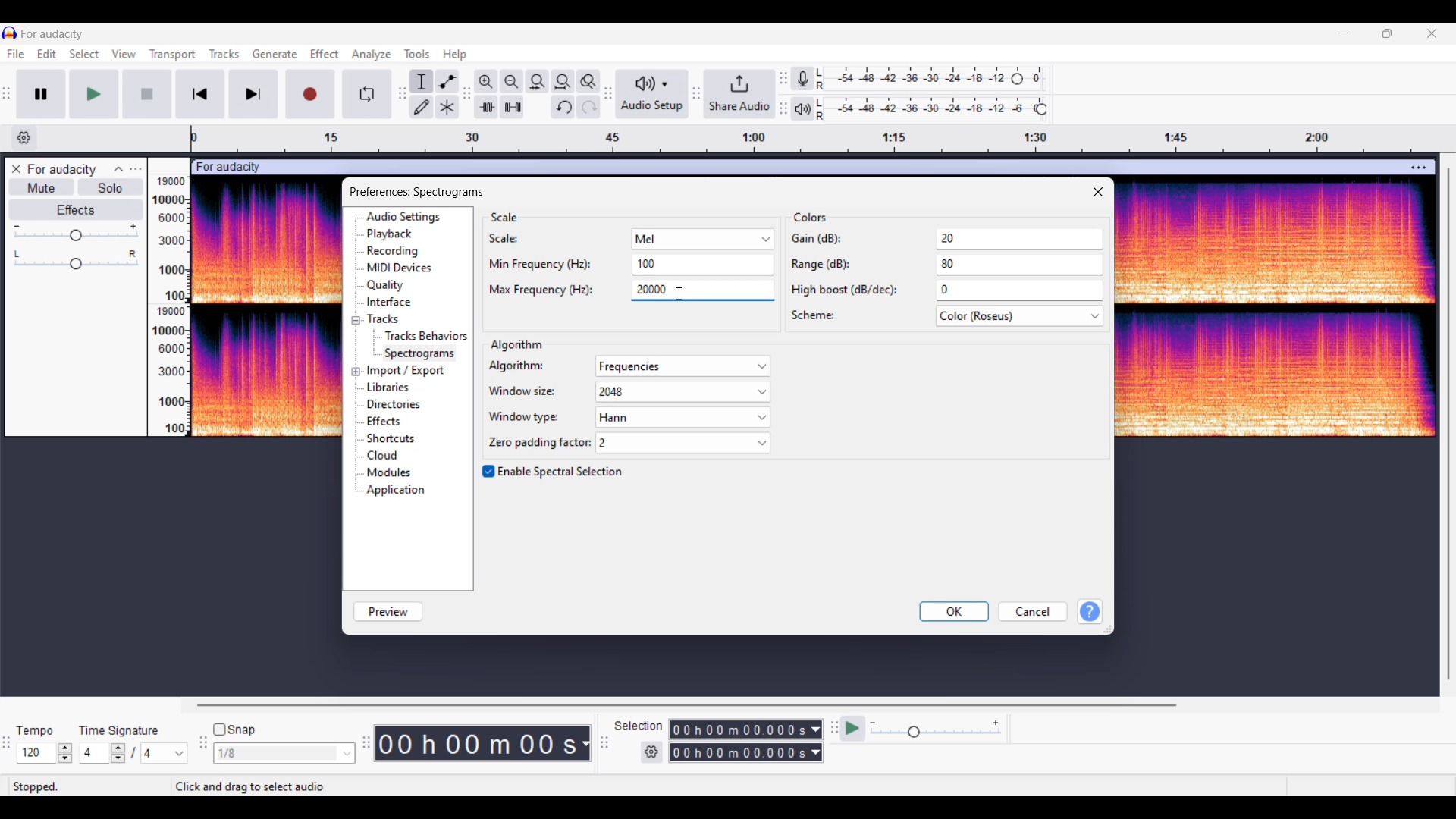  What do you see at coordinates (930, 108) in the screenshot?
I see `Playback level` at bounding box center [930, 108].